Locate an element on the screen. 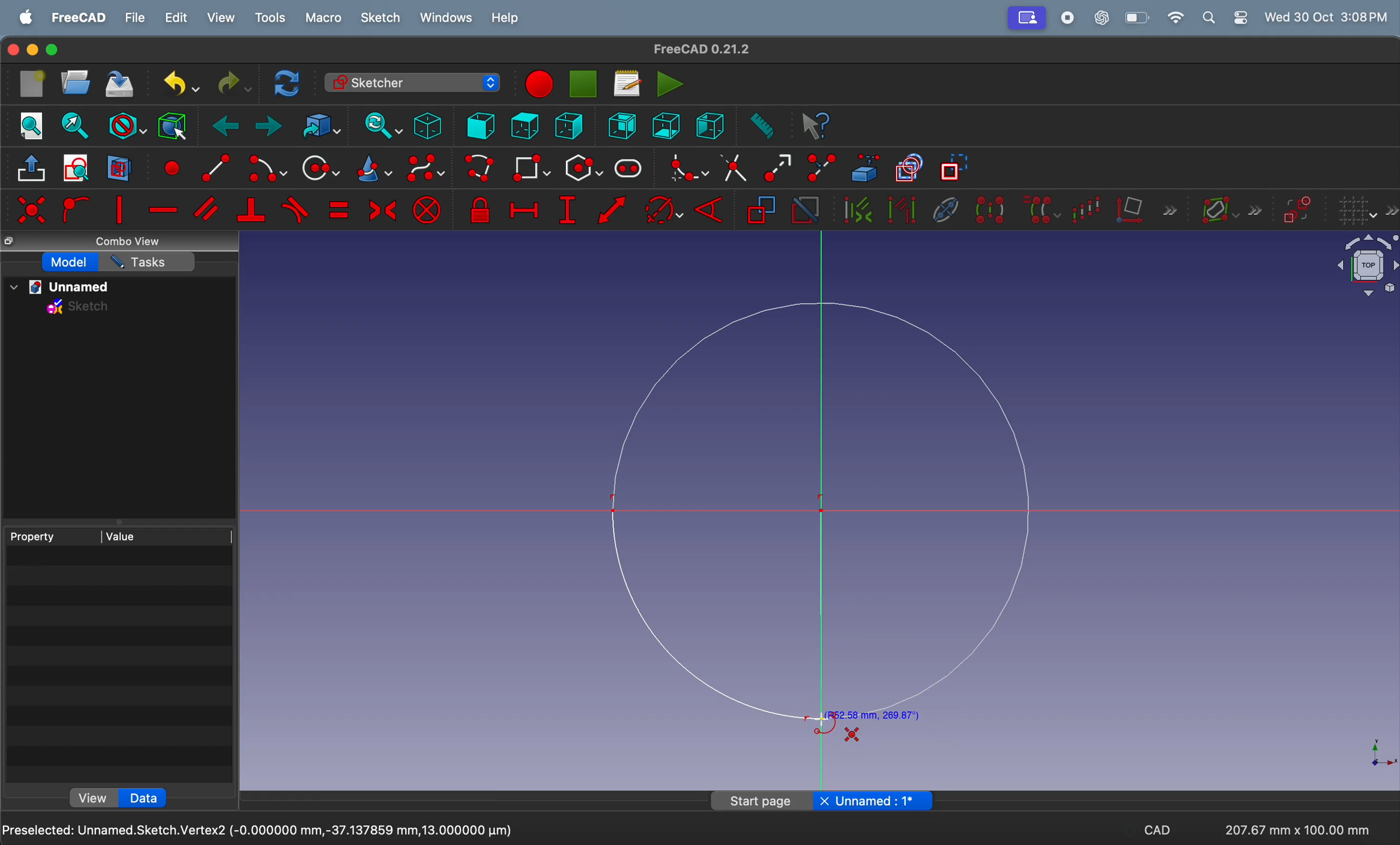 Image resolution: width=1400 pixels, height=845 pixels. constrain horizontal distance is located at coordinates (523, 208).